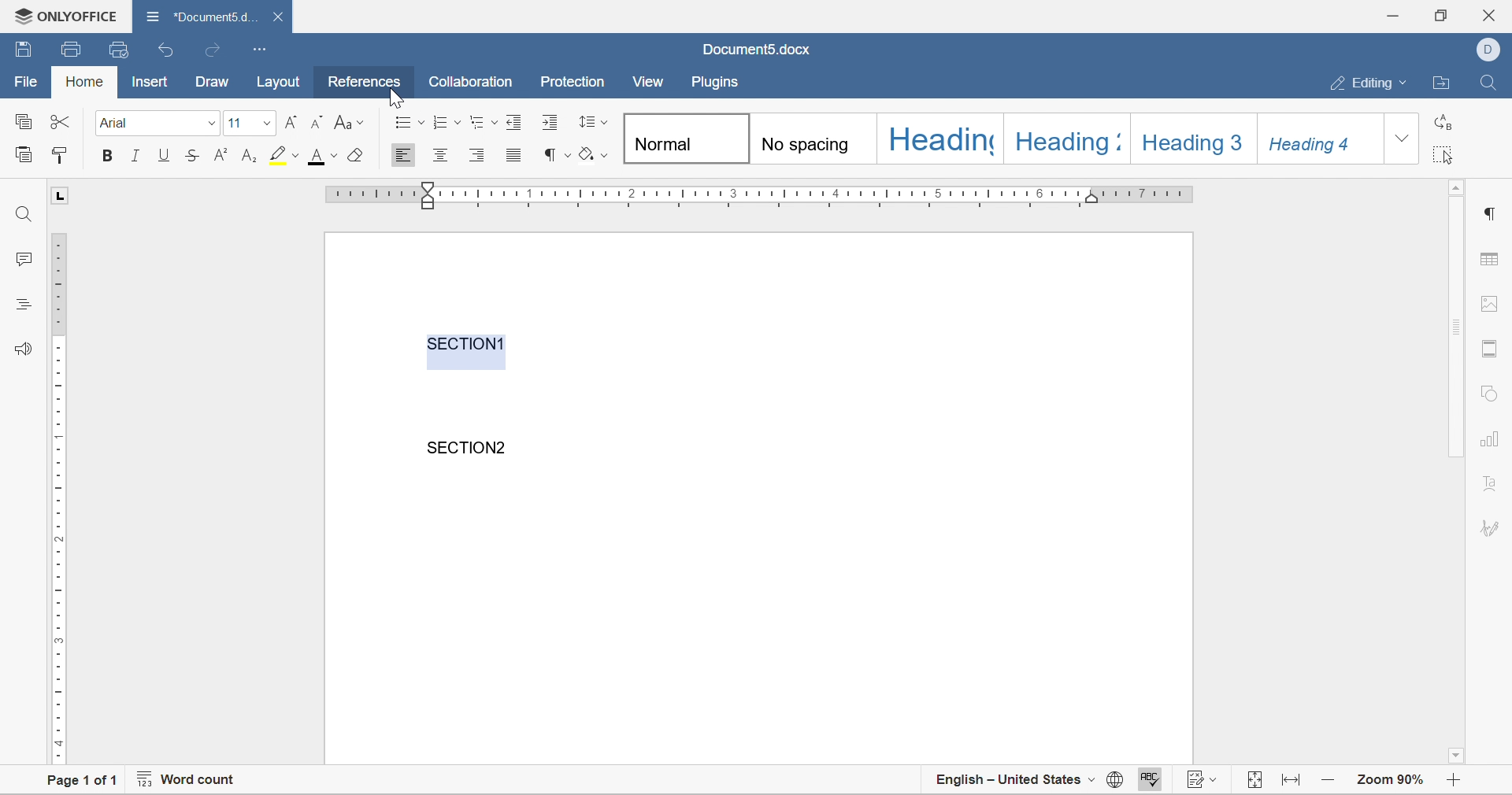  What do you see at coordinates (1487, 303) in the screenshot?
I see `image settings` at bounding box center [1487, 303].